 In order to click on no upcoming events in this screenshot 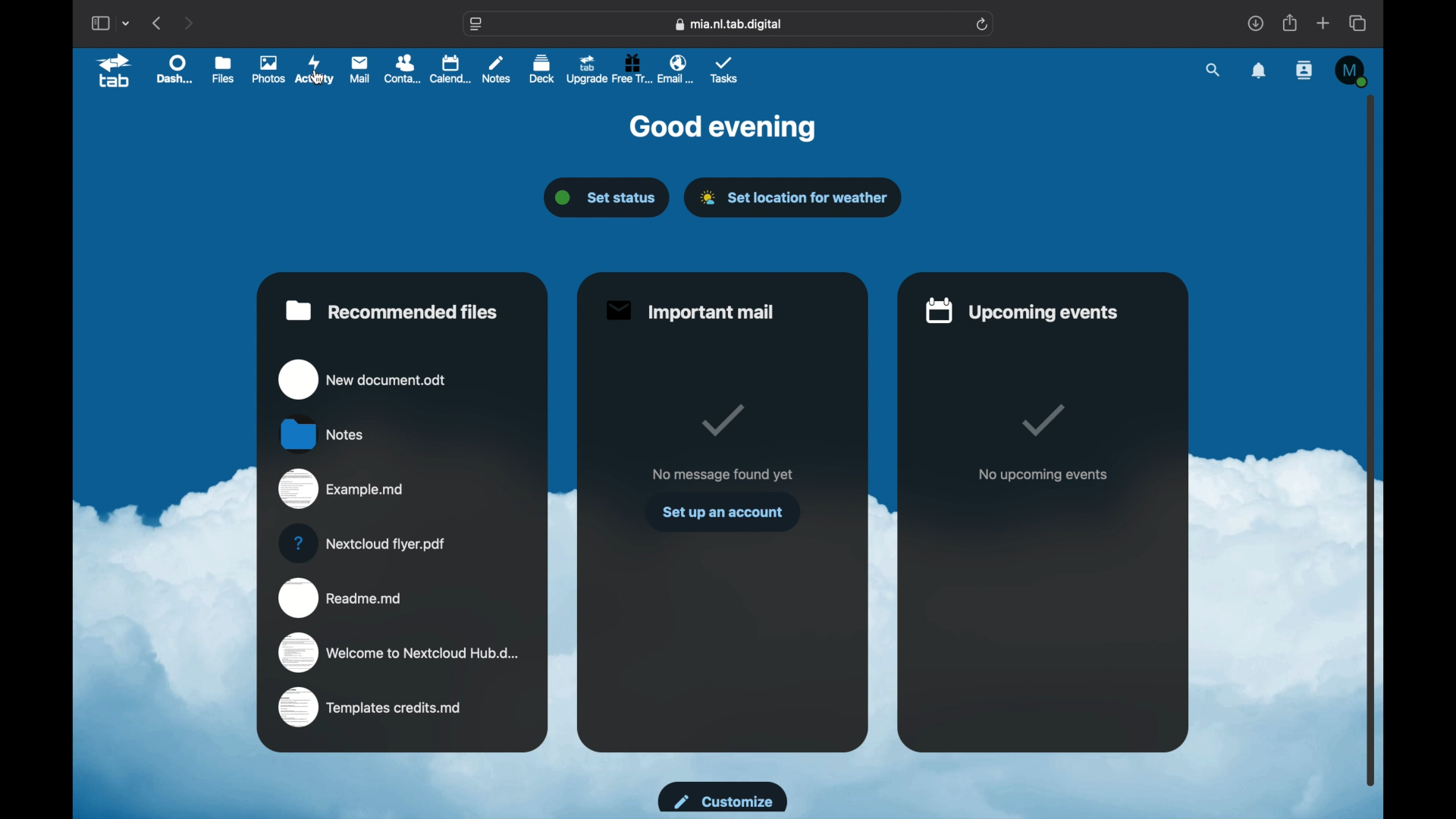, I will do `click(1043, 475)`.